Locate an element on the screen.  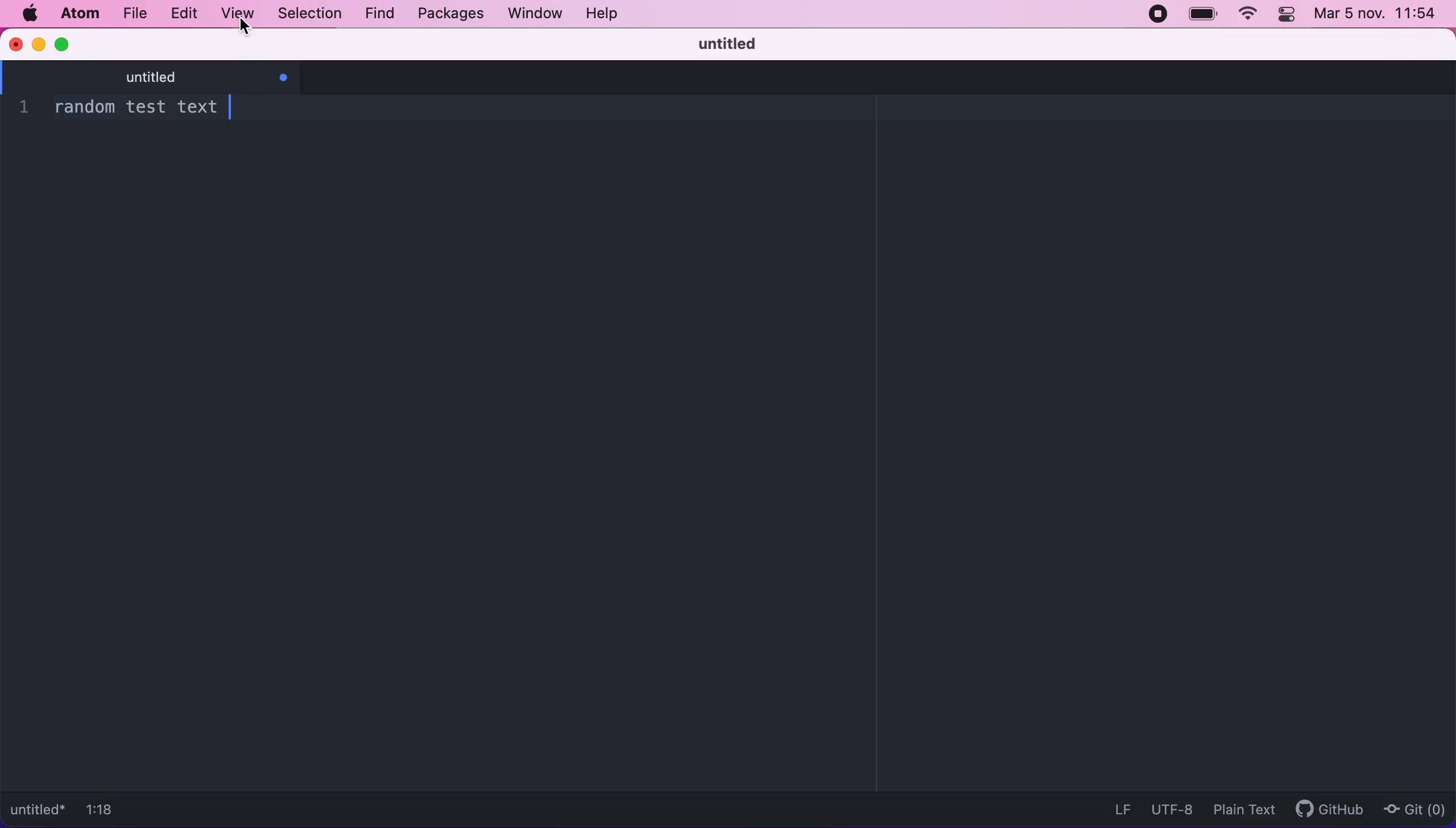
LF is located at coordinates (1119, 808).